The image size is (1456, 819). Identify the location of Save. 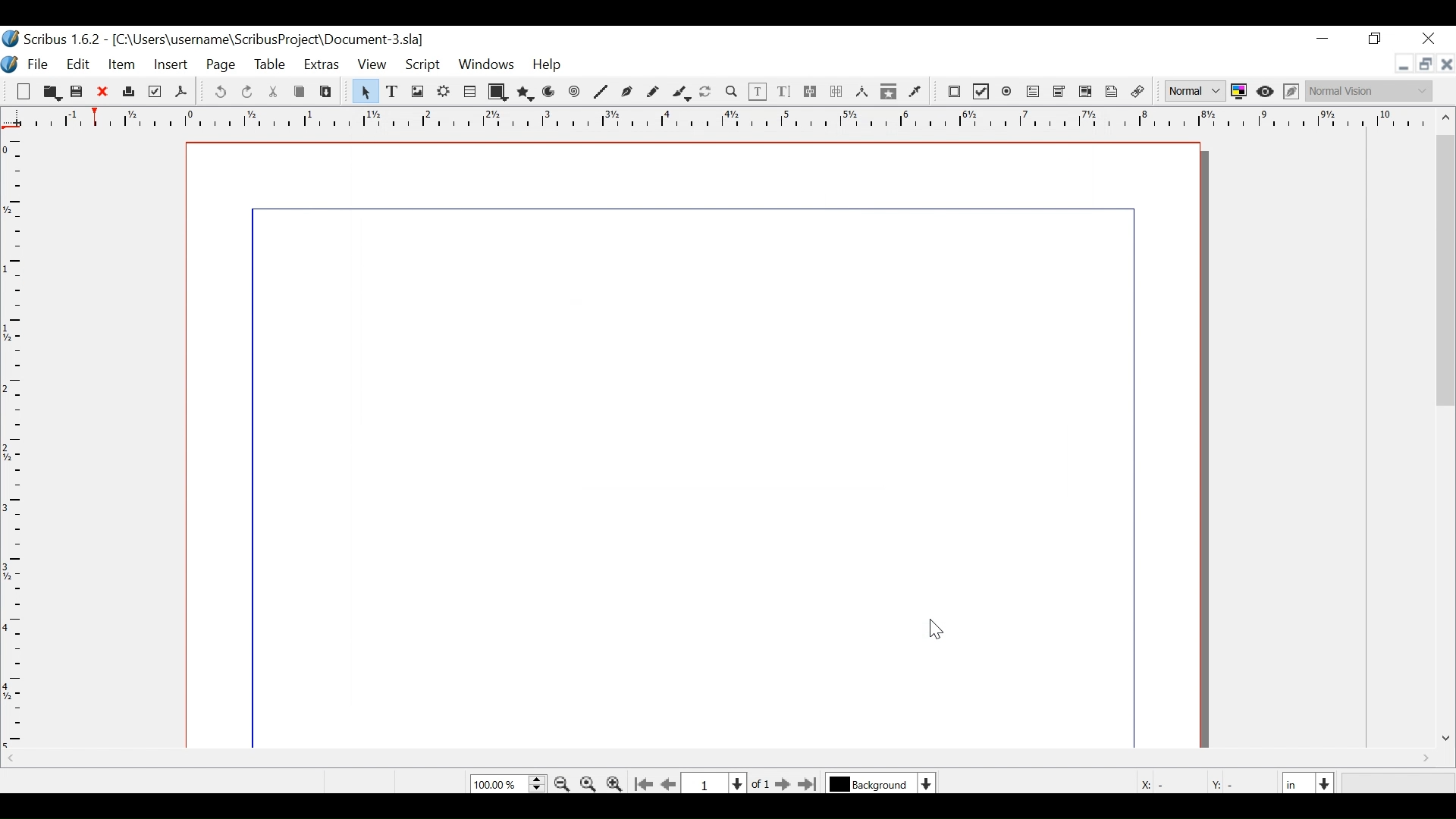
(78, 93).